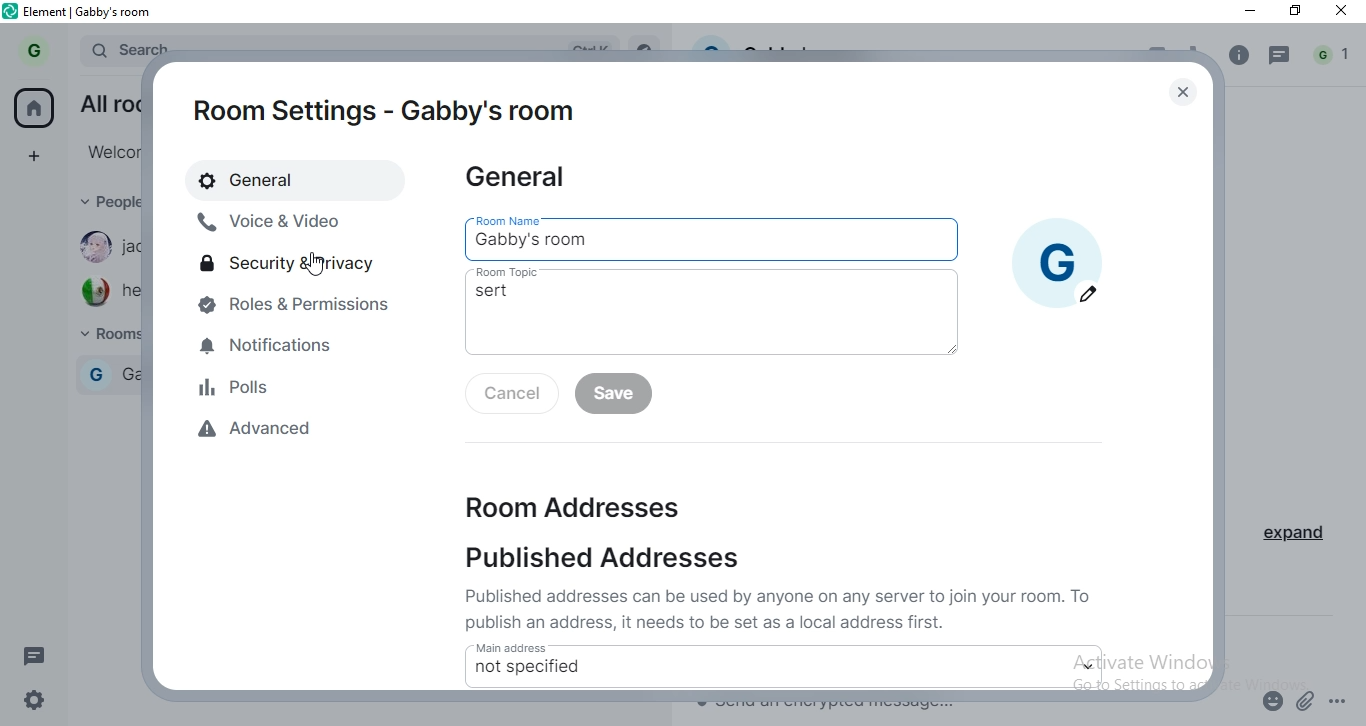  What do you see at coordinates (270, 435) in the screenshot?
I see `advanced` at bounding box center [270, 435].